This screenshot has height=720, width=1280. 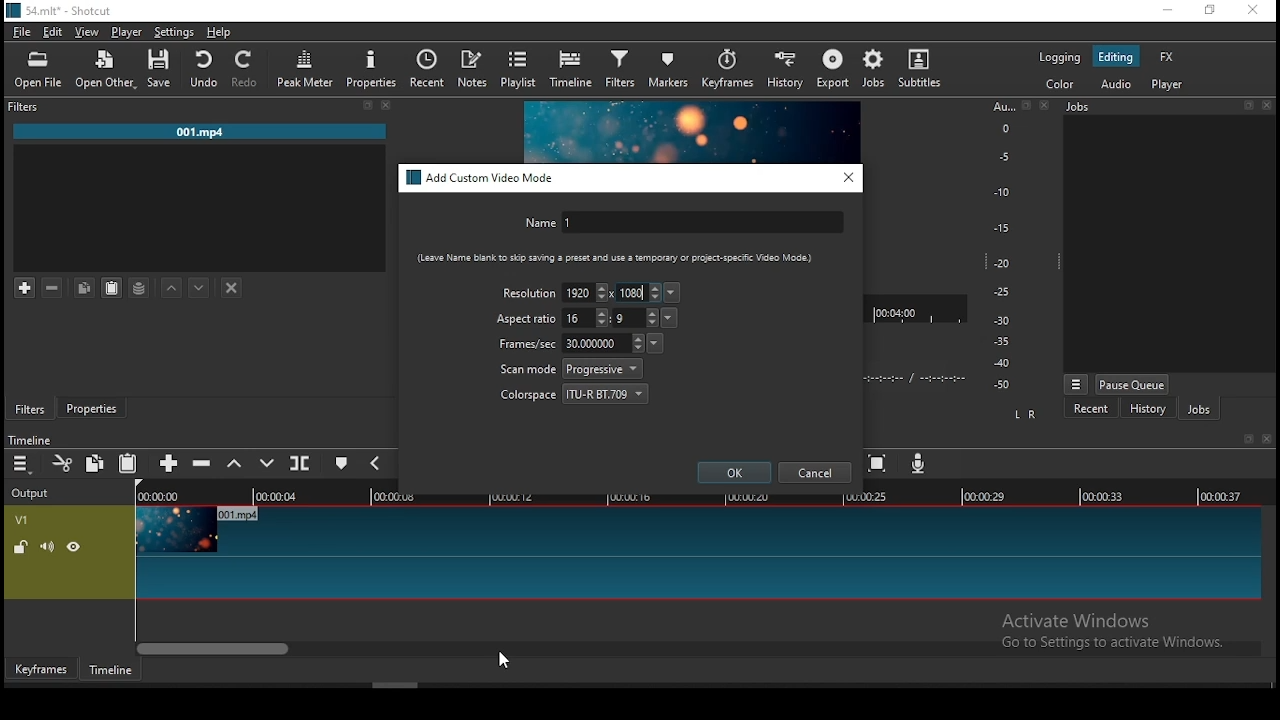 I want to click on resolution presets, so click(x=674, y=293).